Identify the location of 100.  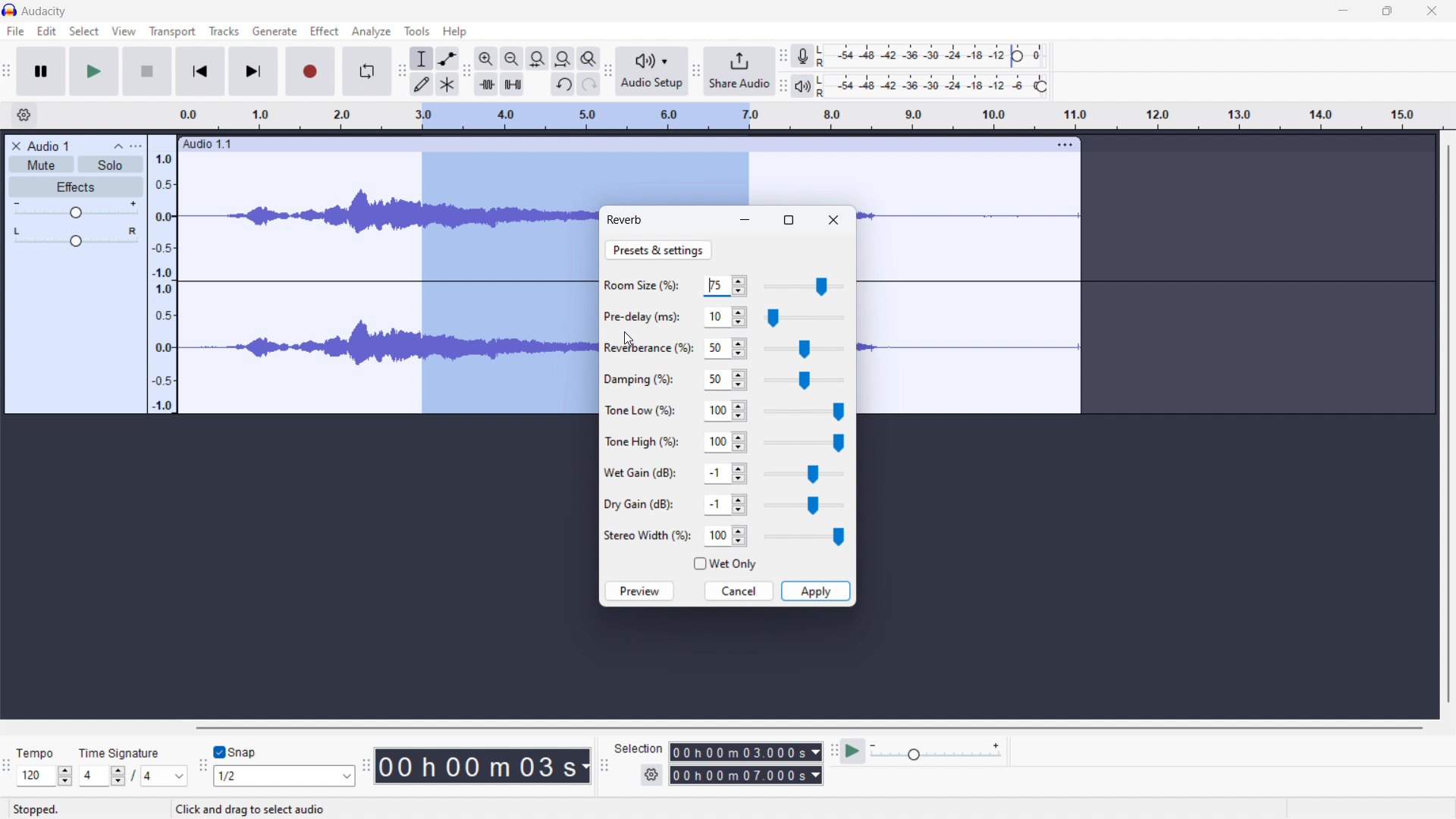
(726, 441).